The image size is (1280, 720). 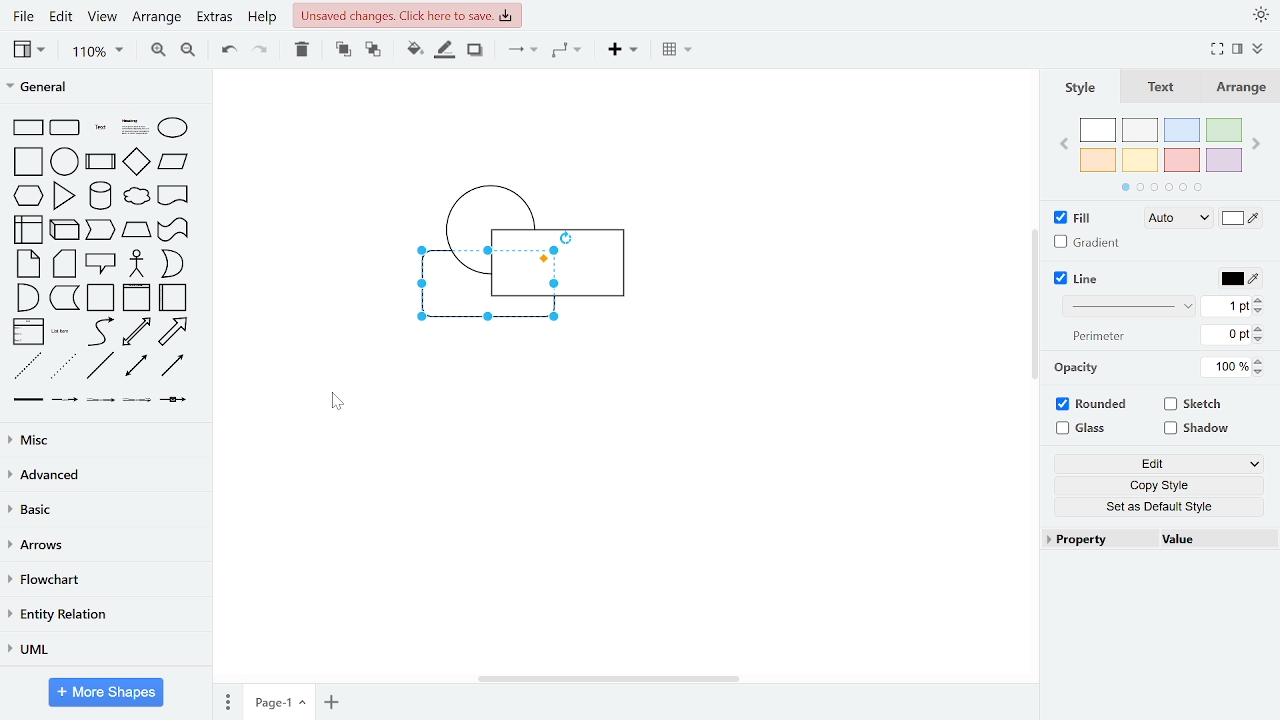 What do you see at coordinates (136, 263) in the screenshot?
I see `actor` at bounding box center [136, 263].